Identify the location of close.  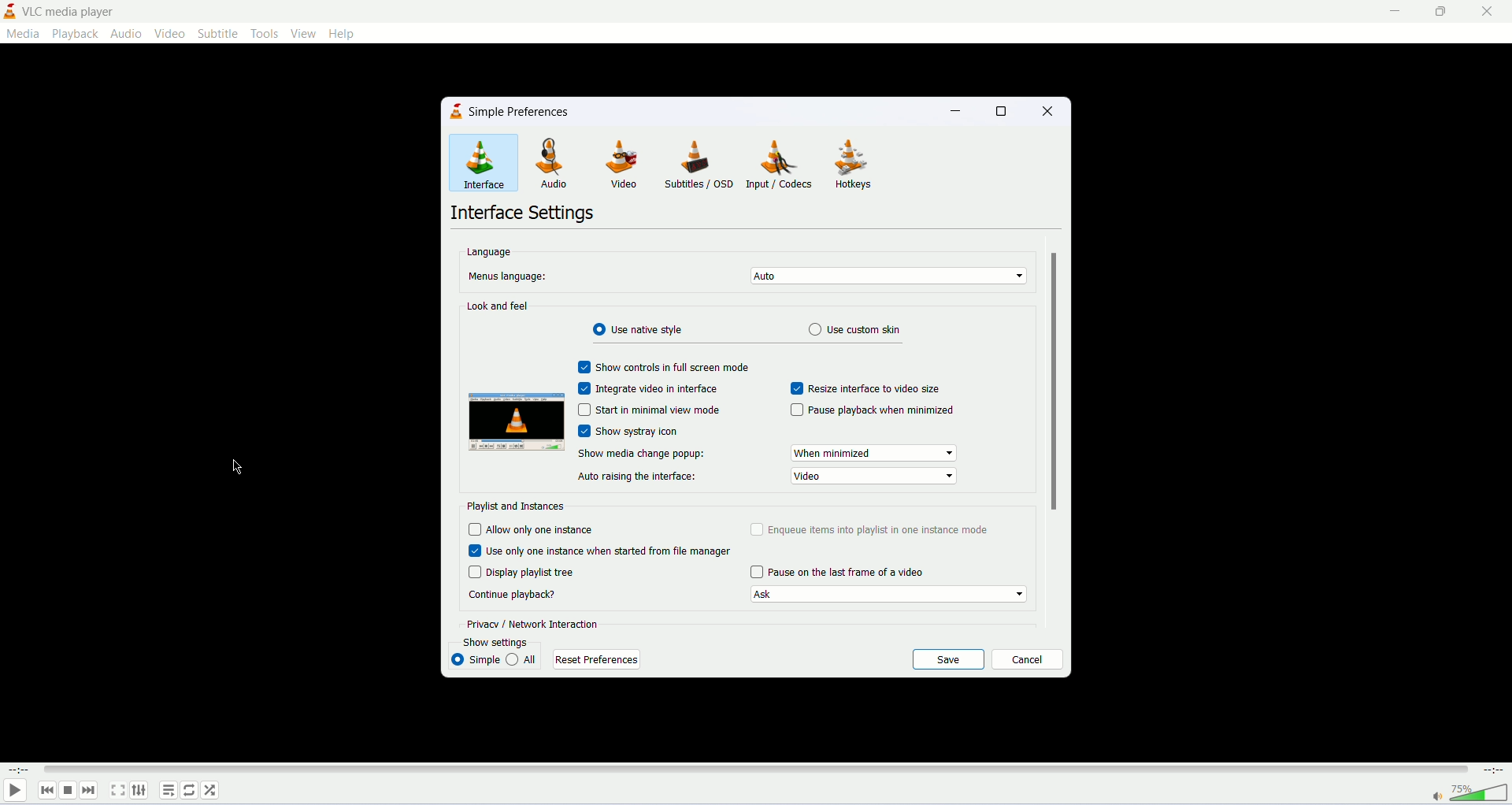
(1488, 12).